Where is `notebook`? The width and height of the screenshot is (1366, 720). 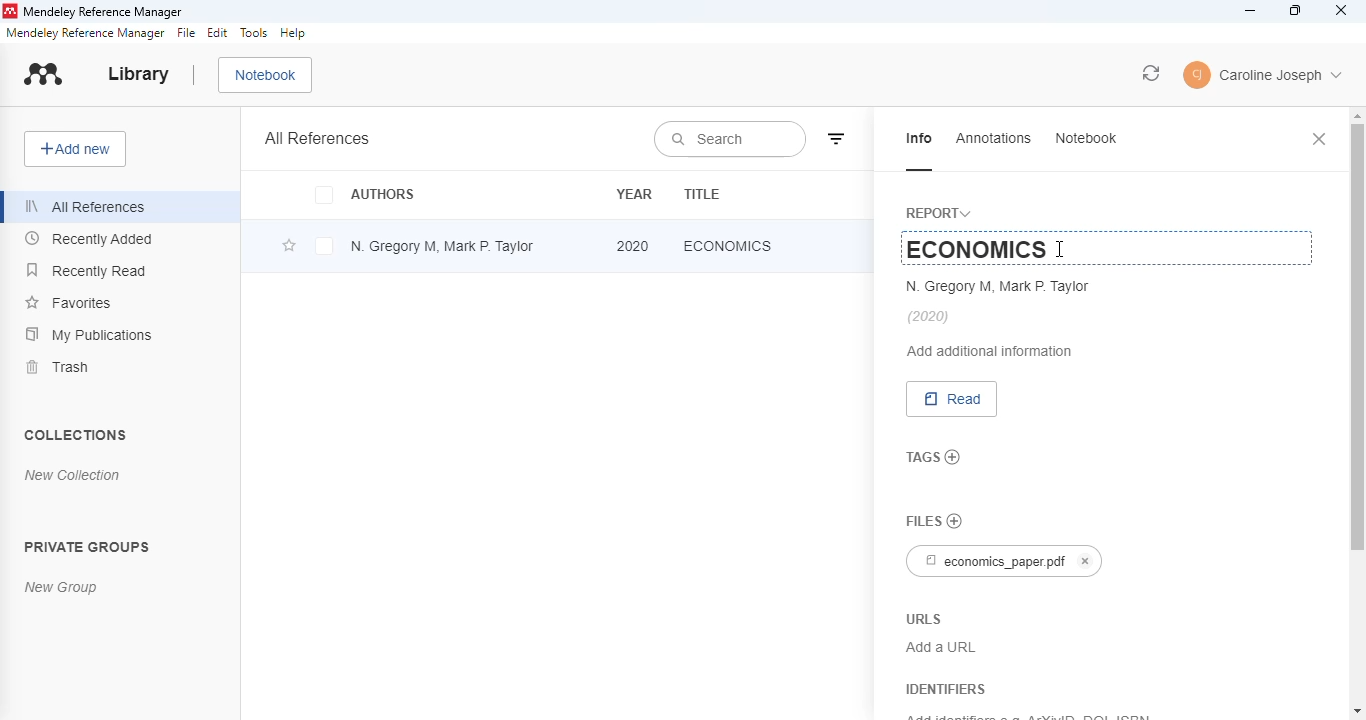
notebook is located at coordinates (265, 75).